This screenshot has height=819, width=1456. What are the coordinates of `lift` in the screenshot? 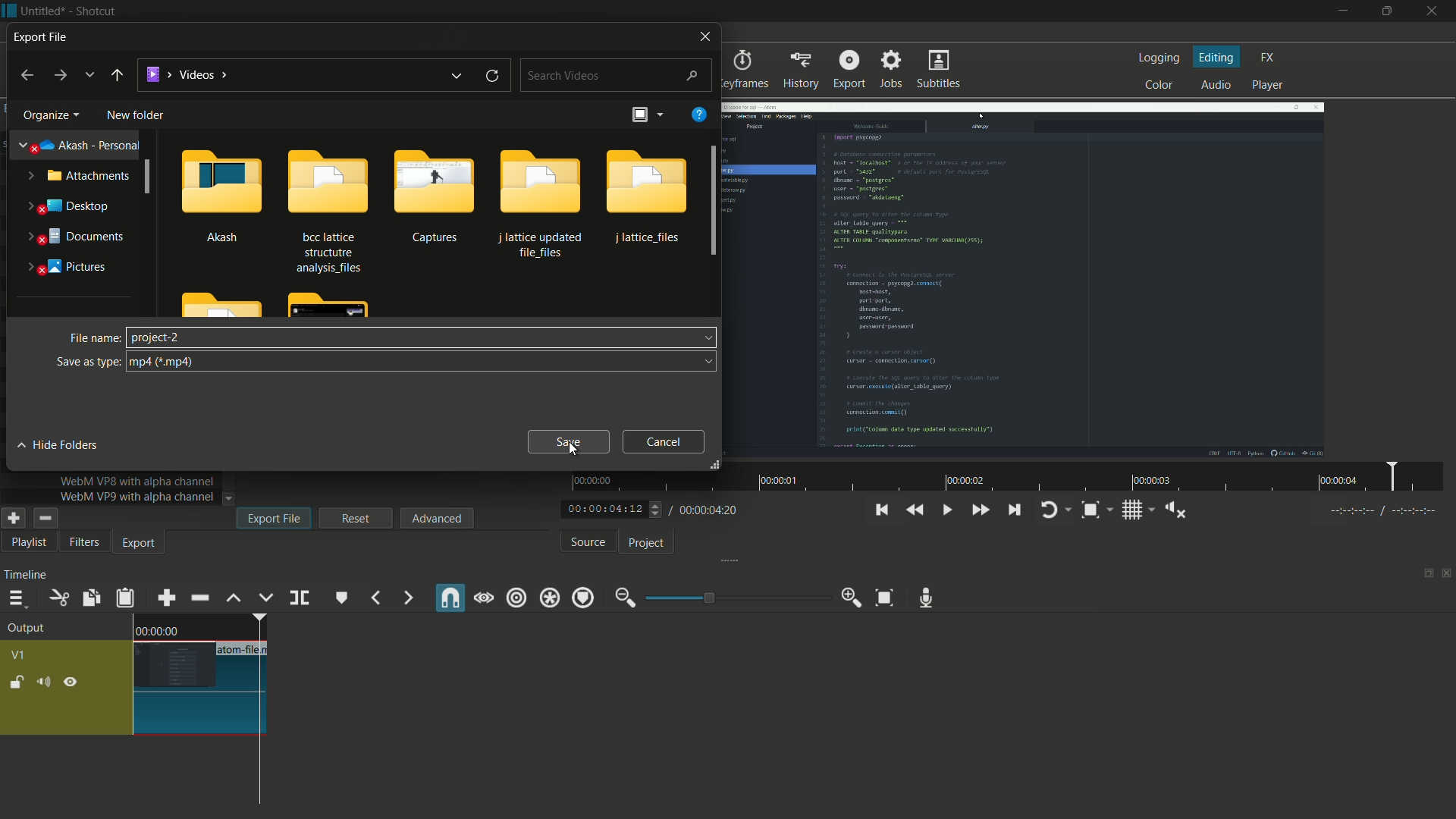 It's located at (234, 599).